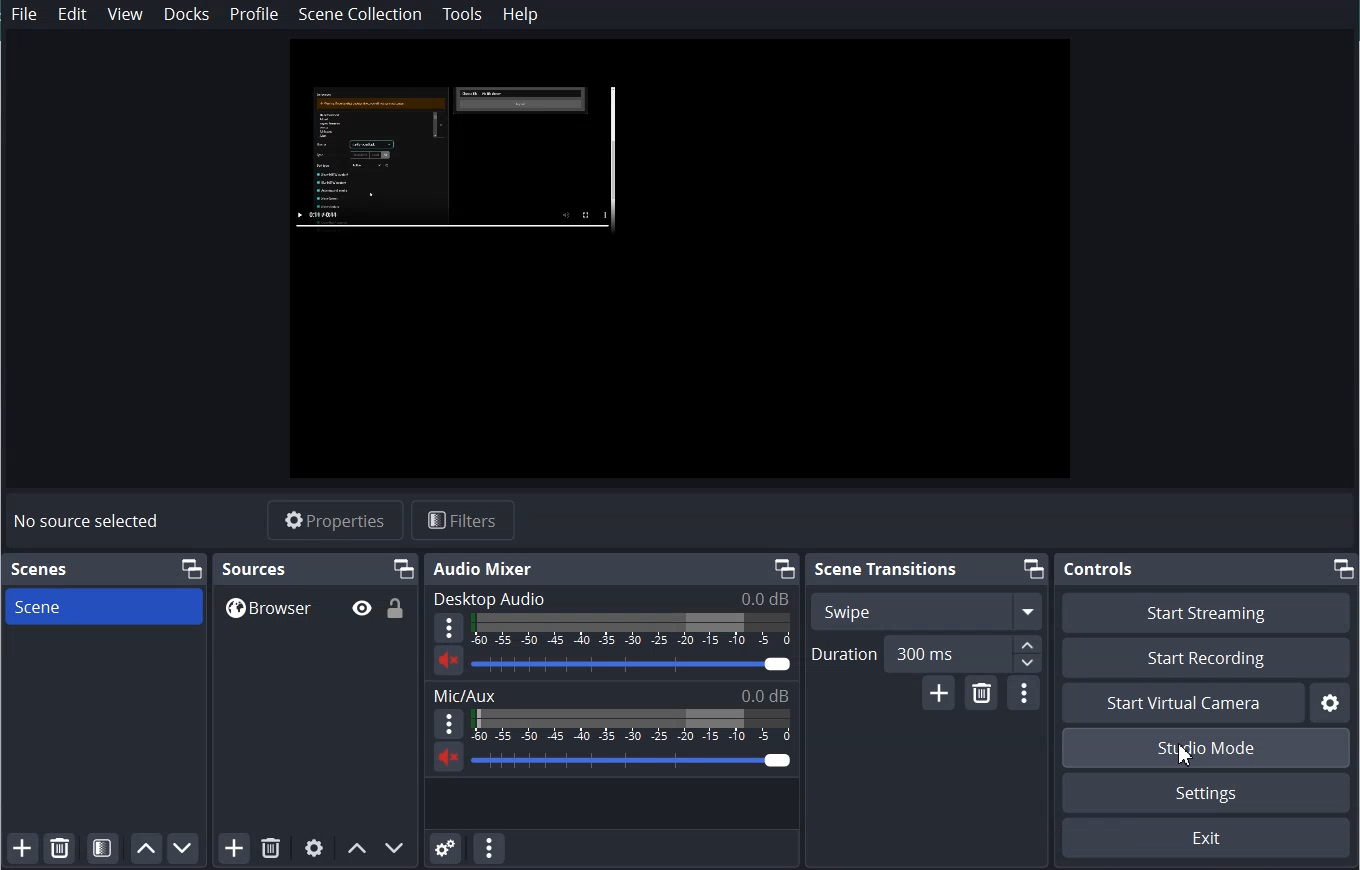 This screenshot has width=1360, height=870. What do you see at coordinates (356, 848) in the screenshot?
I see `Move Source Up` at bounding box center [356, 848].